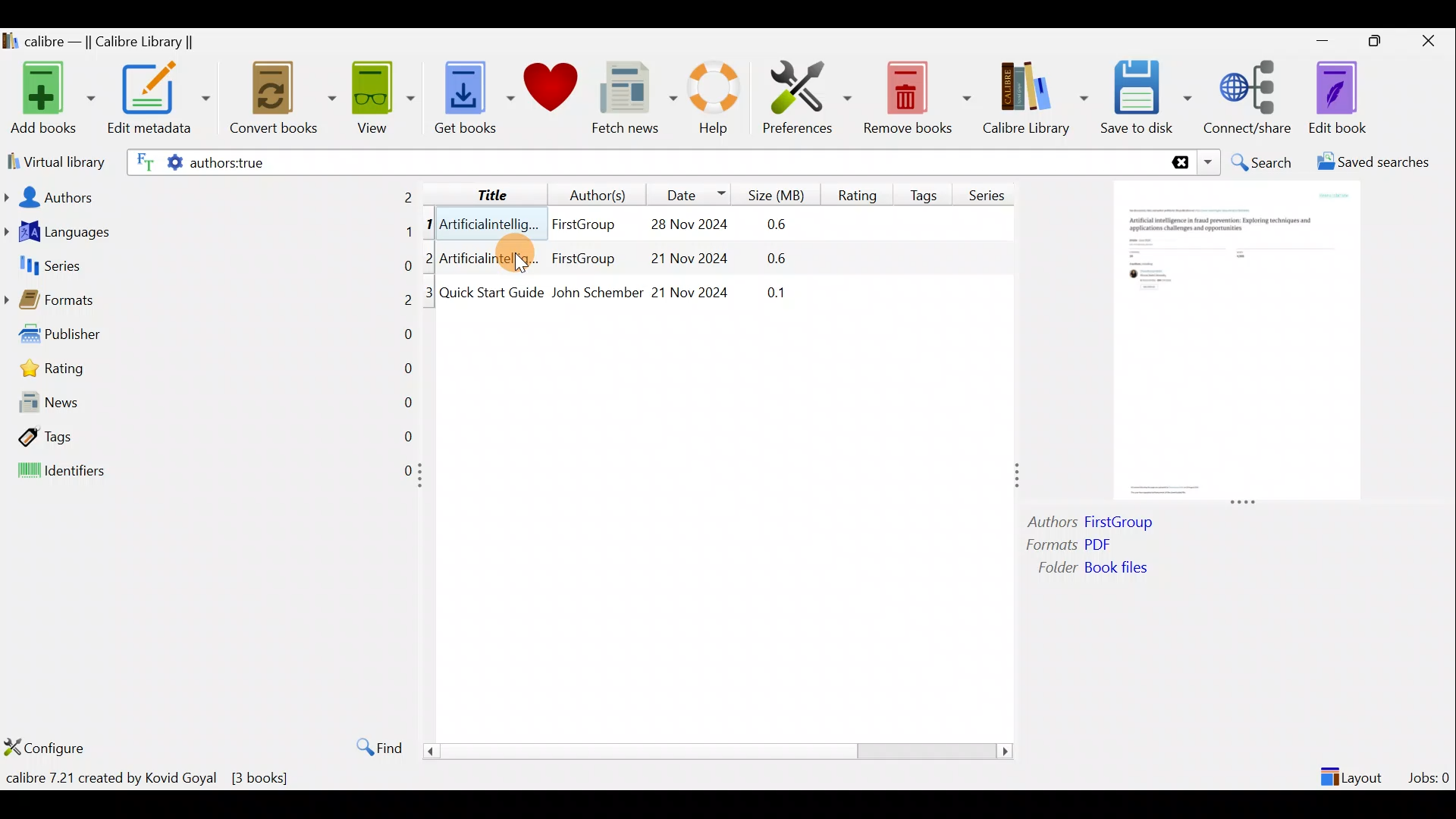  What do you see at coordinates (215, 372) in the screenshot?
I see `Rating` at bounding box center [215, 372].